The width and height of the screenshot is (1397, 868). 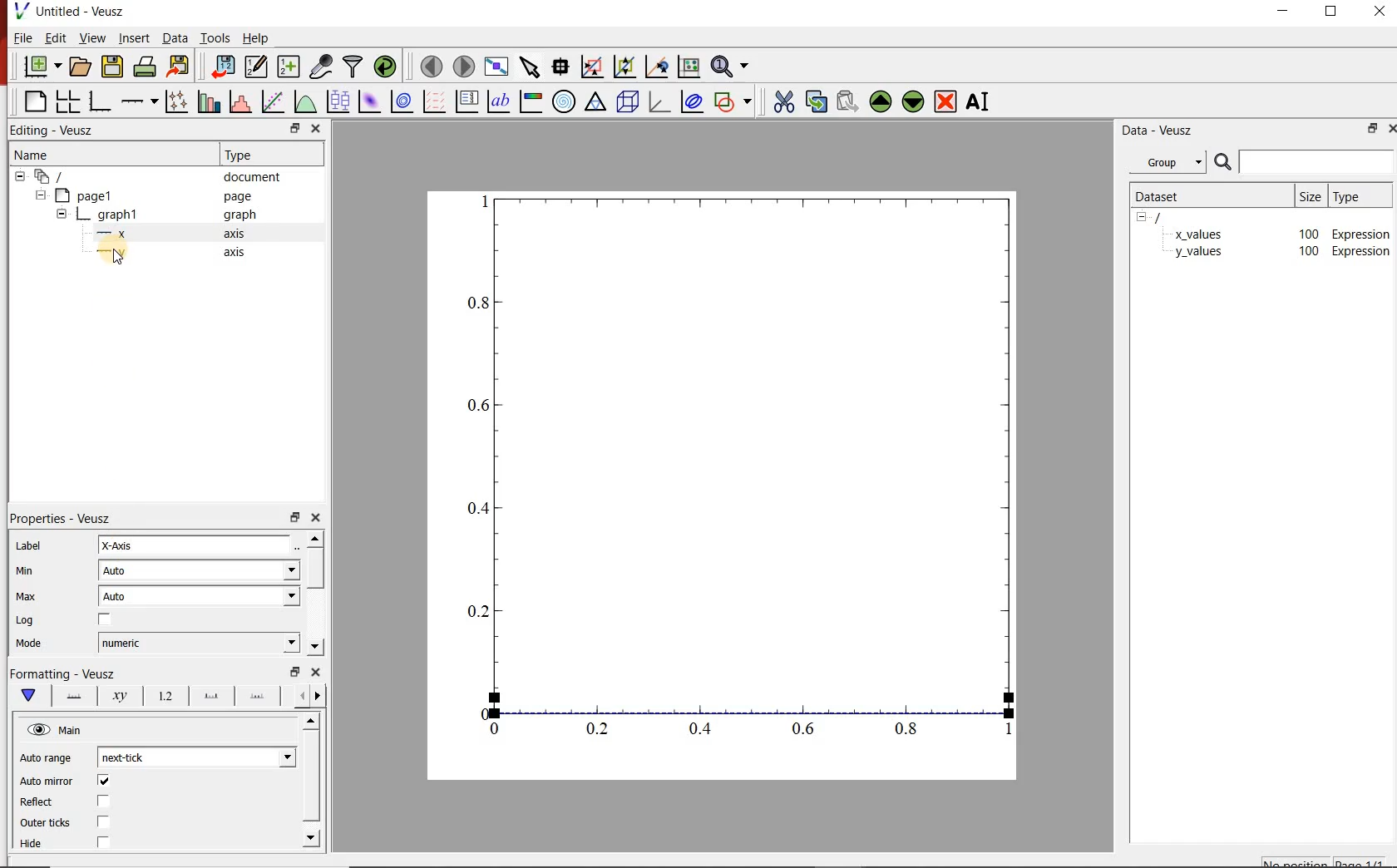 What do you see at coordinates (223, 67) in the screenshot?
I see `import data into veusz` at bounding box center [223, 67].